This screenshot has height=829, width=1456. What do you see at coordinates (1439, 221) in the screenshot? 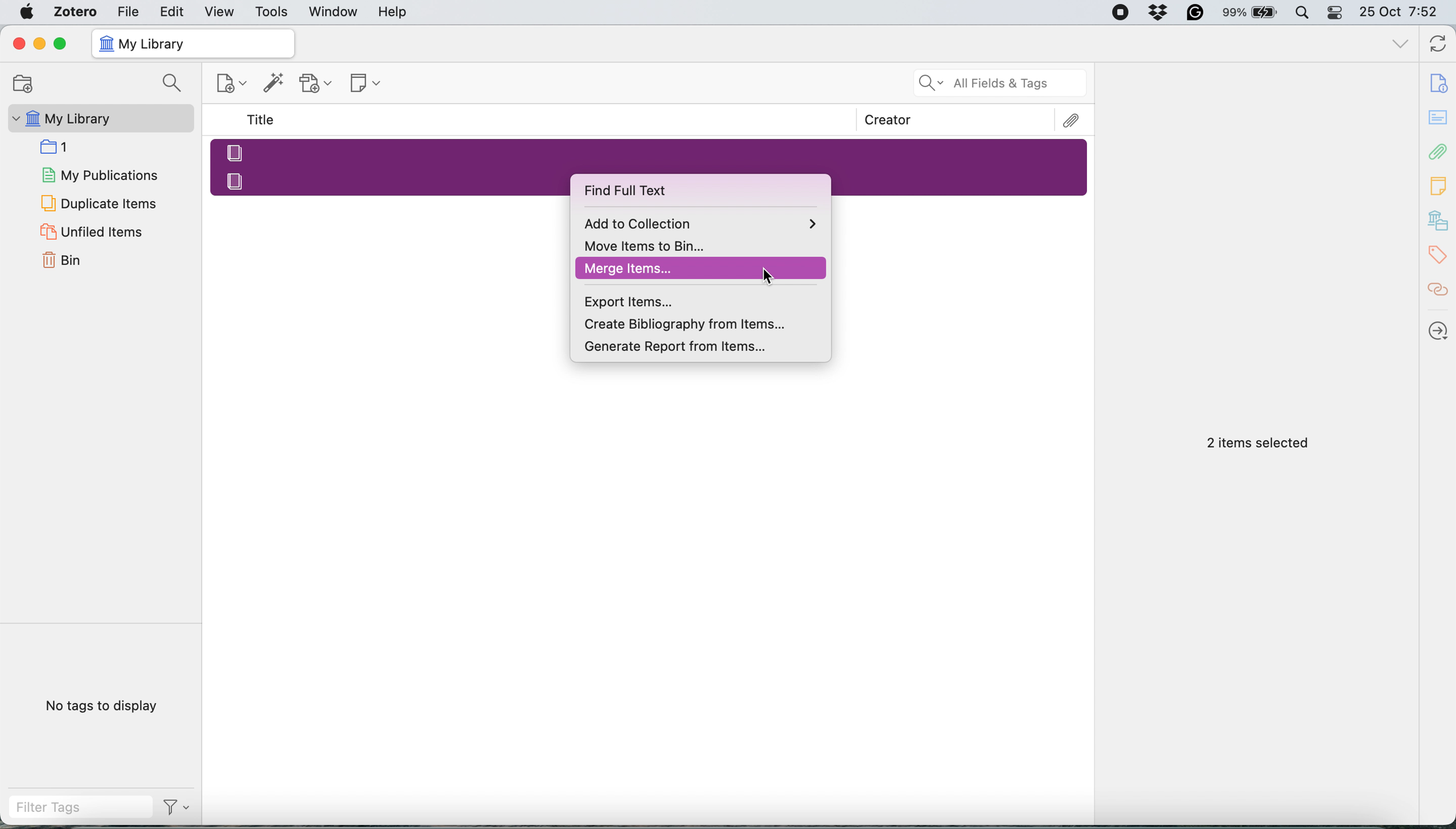
I see `Library` at bounding box center [1439, 221].